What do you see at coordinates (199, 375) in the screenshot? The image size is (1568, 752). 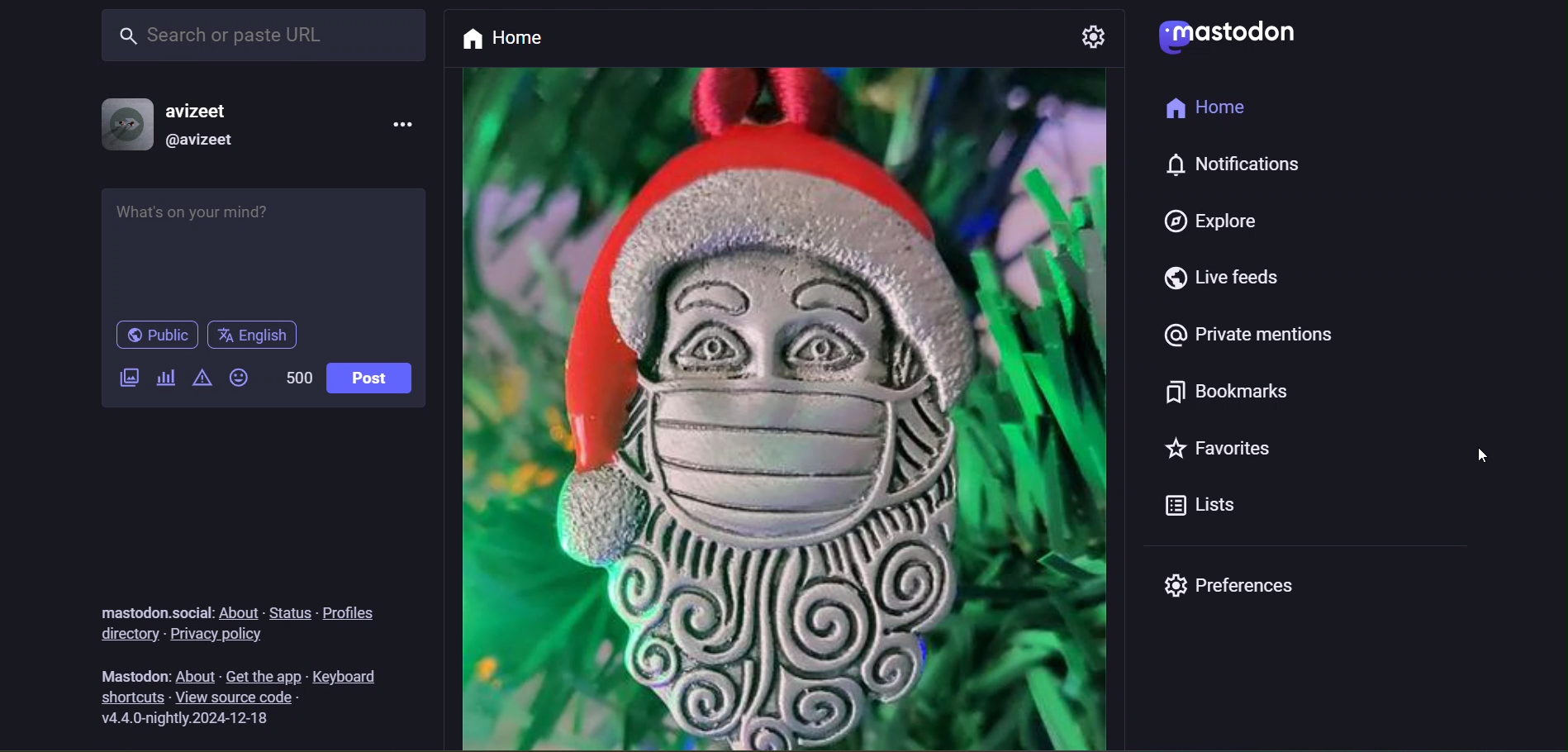 I see `content warning` at bounding box center [199, 375].